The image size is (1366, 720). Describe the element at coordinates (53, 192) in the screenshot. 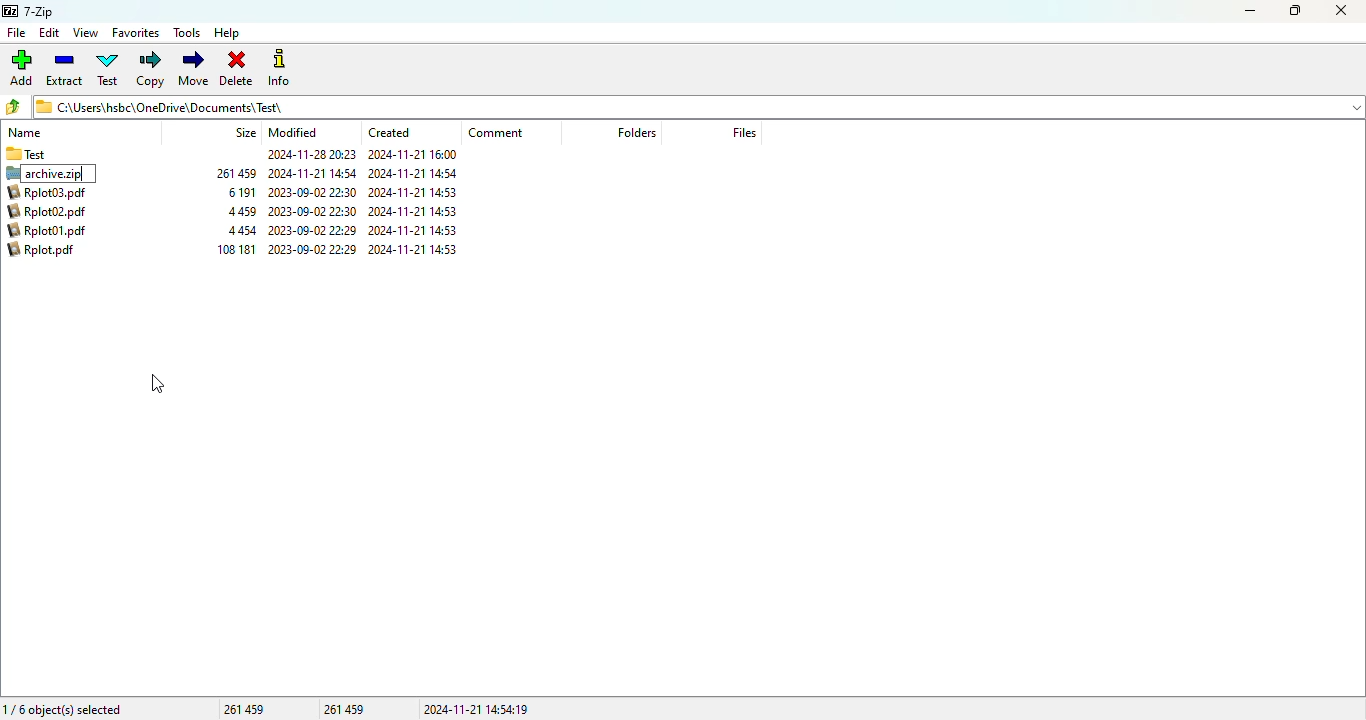

I see `Rplot03.pdf ` at that location.